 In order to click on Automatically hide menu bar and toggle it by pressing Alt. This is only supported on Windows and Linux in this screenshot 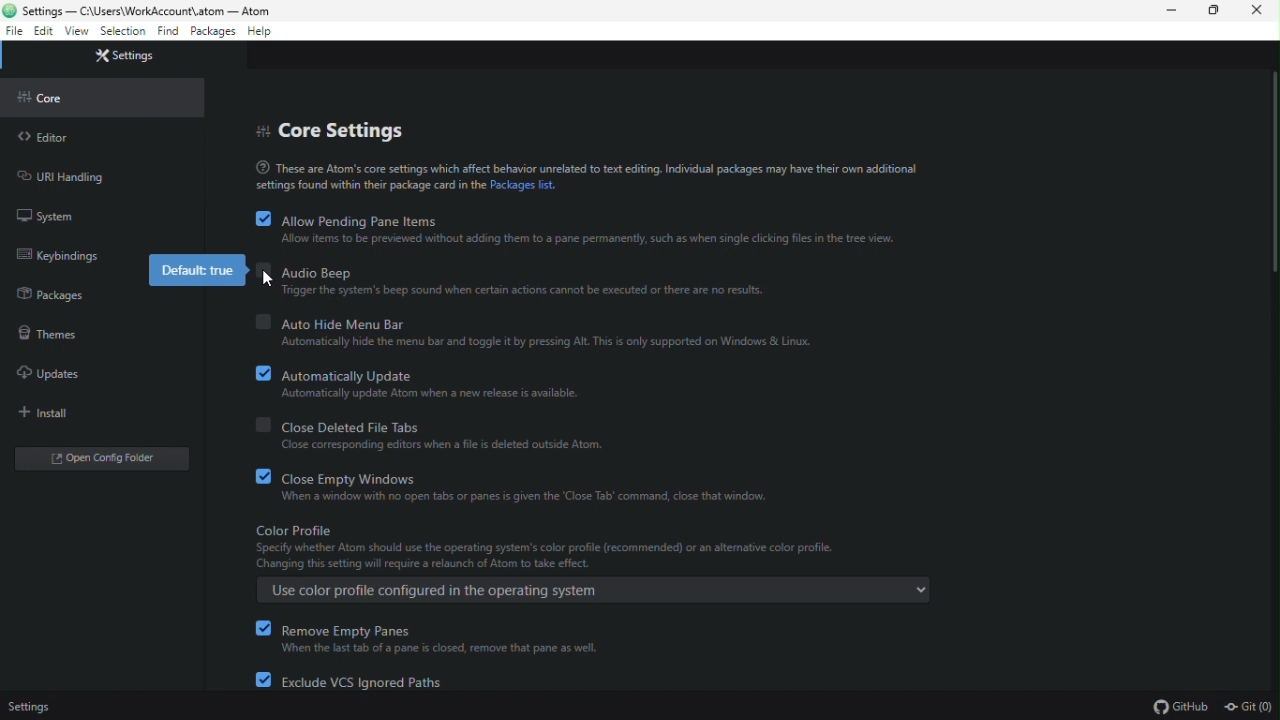, I will do `click(548, 345)`.